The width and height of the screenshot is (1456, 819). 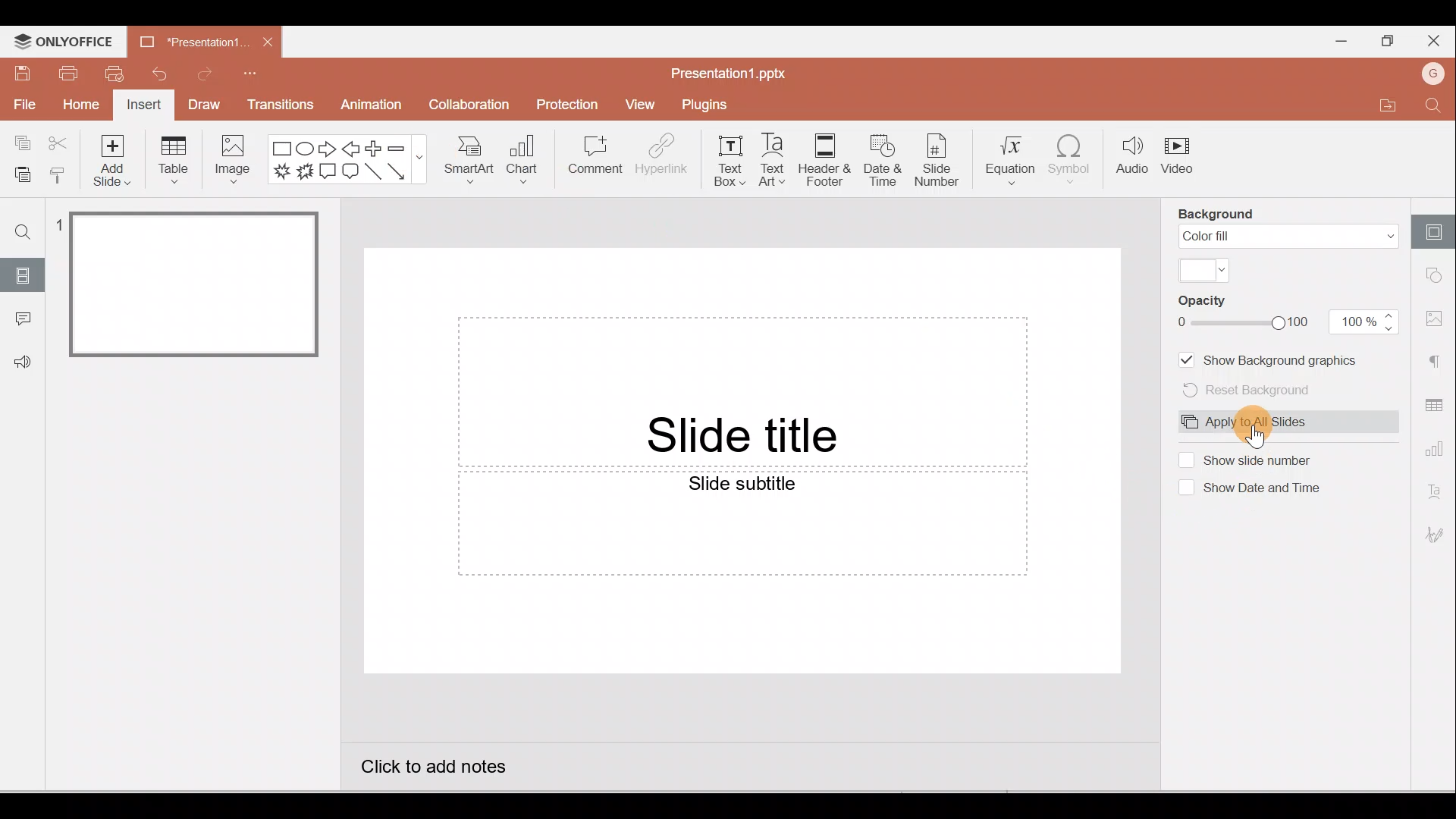 I want to click on Select colour, so click(x=1205, y=270).